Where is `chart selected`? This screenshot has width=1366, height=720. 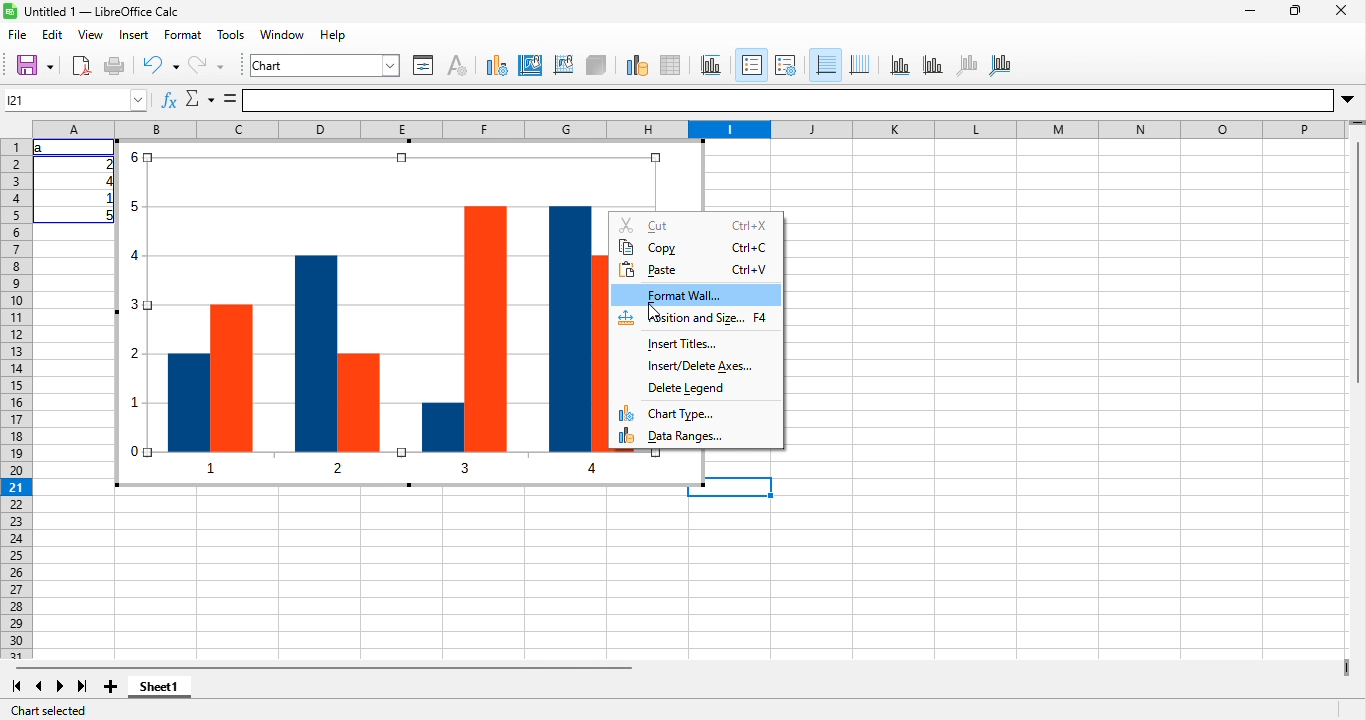
chart selected is located at coordinates (48, 711).